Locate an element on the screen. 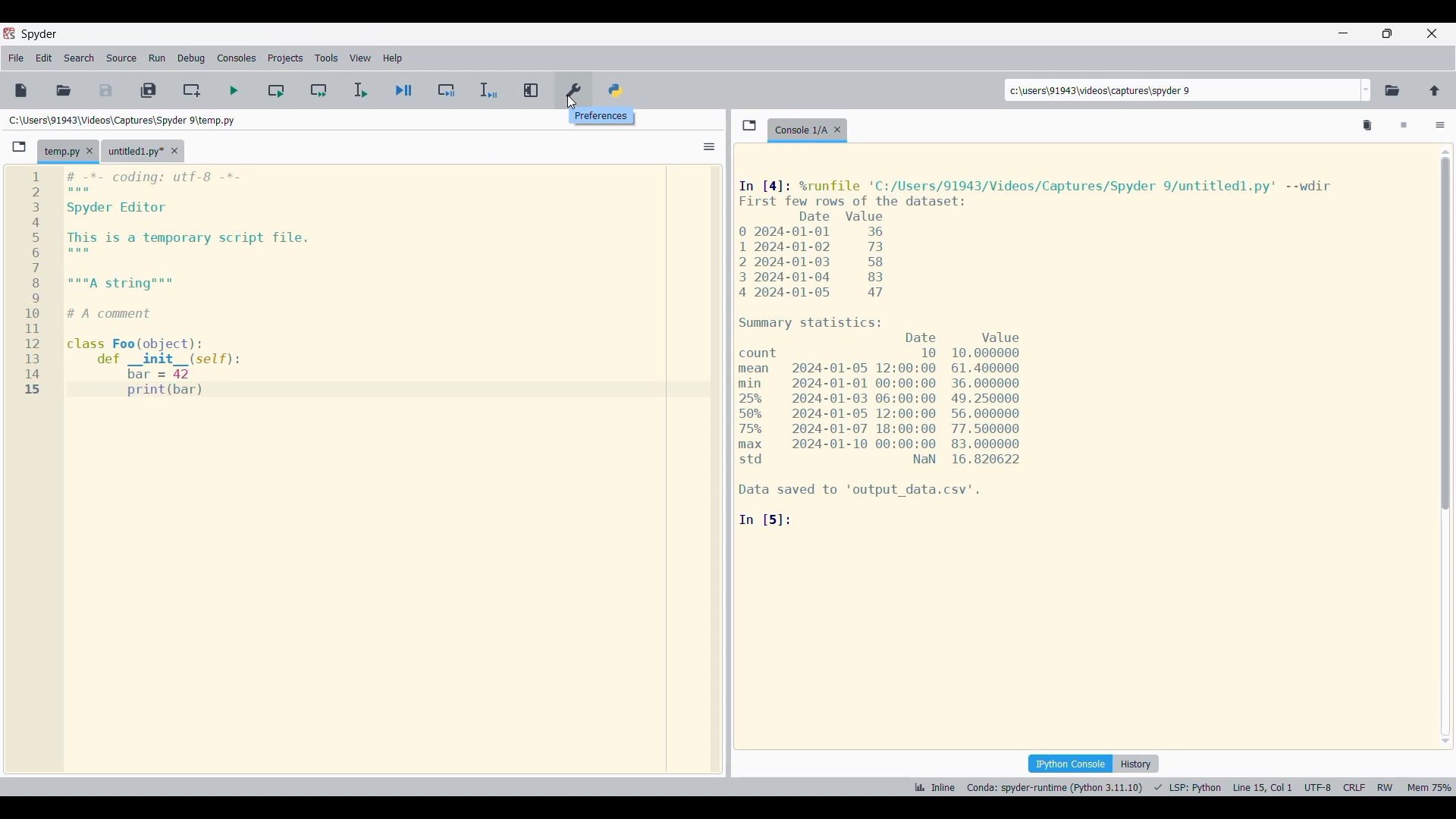  Change to parent directory is located at coordinates (1435, 91).